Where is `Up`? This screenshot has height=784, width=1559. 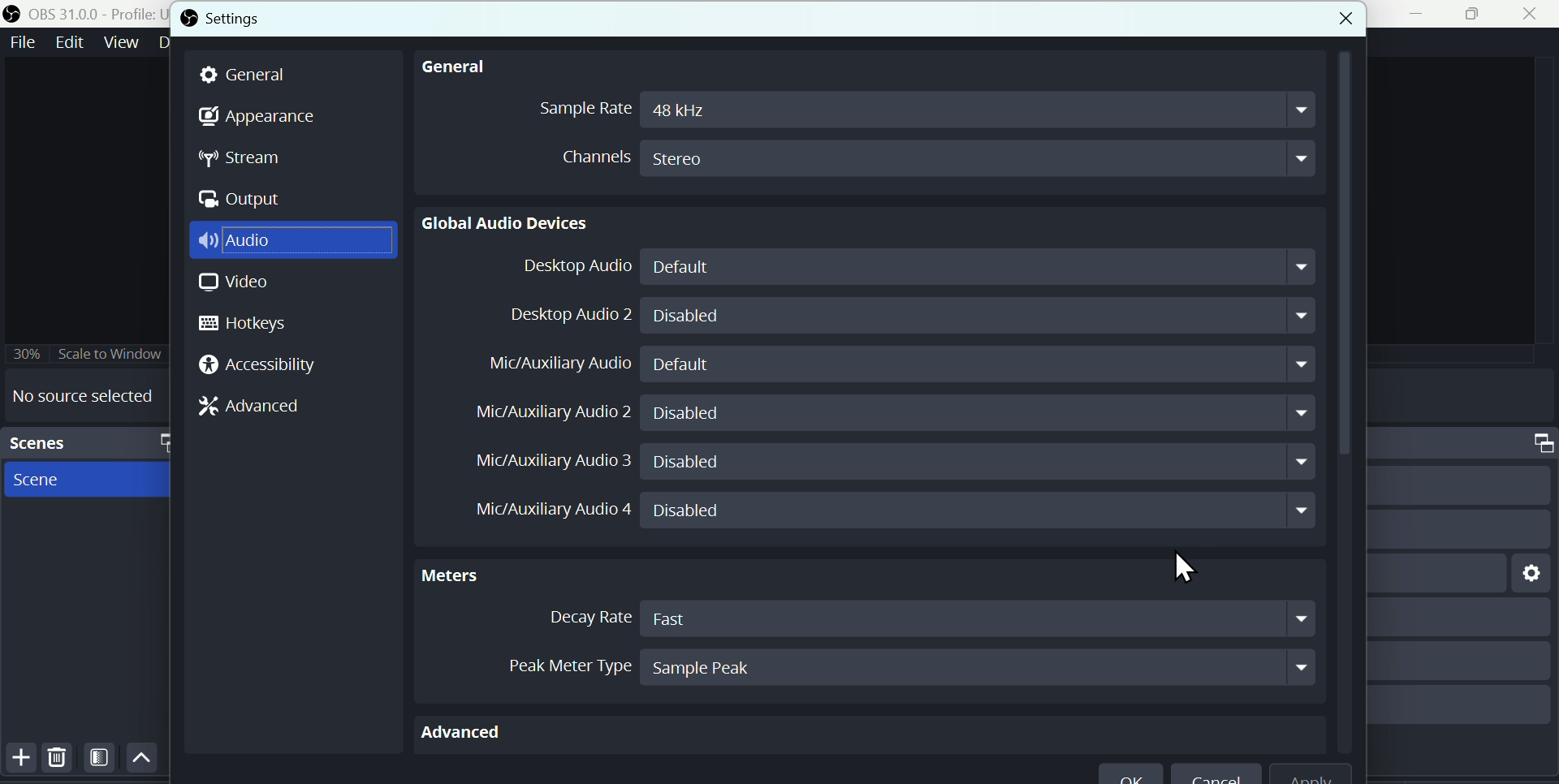 Up is located at coordinates (141, 759).